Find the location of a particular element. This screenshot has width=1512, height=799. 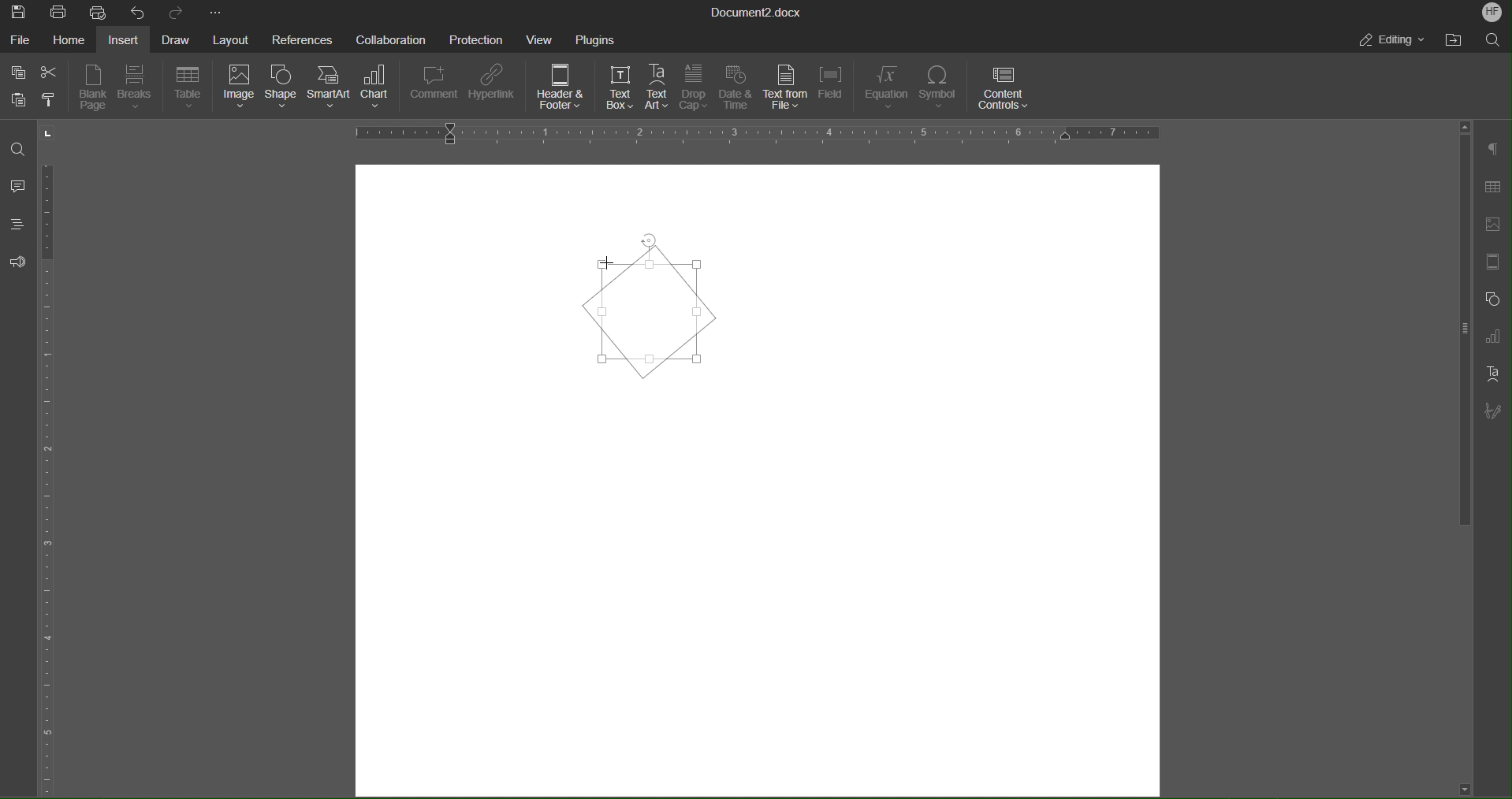

Comments is located at coordinates (19, 186).